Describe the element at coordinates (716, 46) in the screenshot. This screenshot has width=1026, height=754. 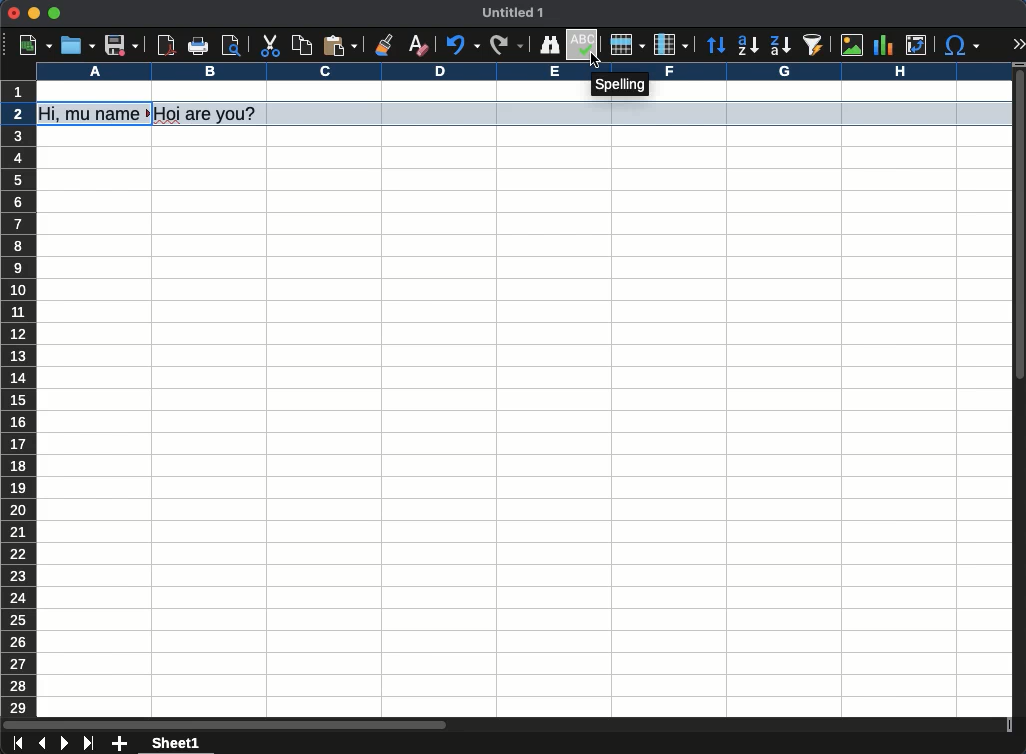
I see `sort` at that location.